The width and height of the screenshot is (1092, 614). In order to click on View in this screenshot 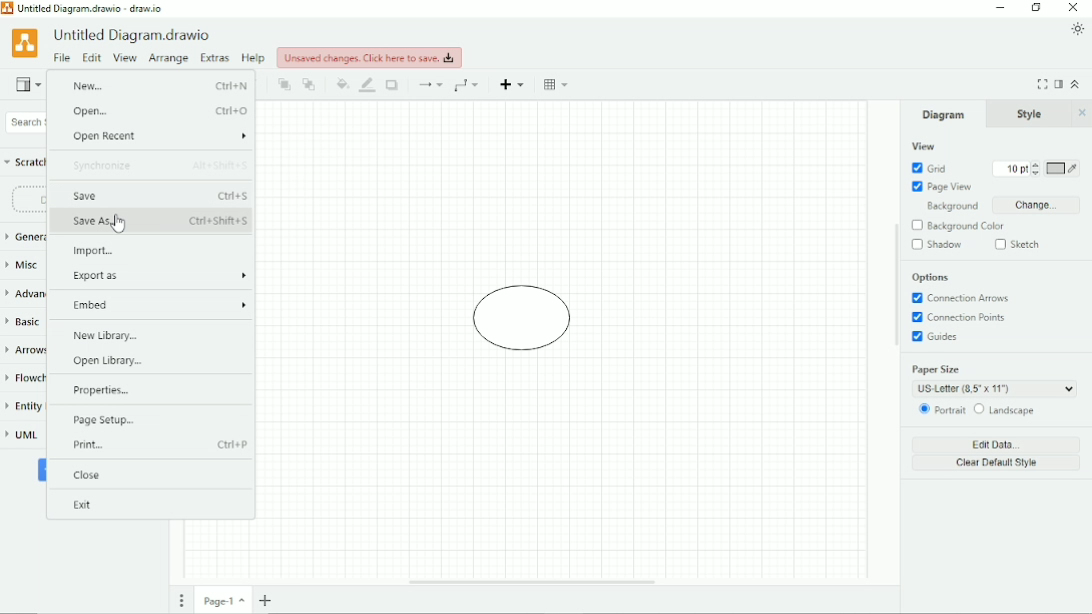, I will do `click(124, 58)`.